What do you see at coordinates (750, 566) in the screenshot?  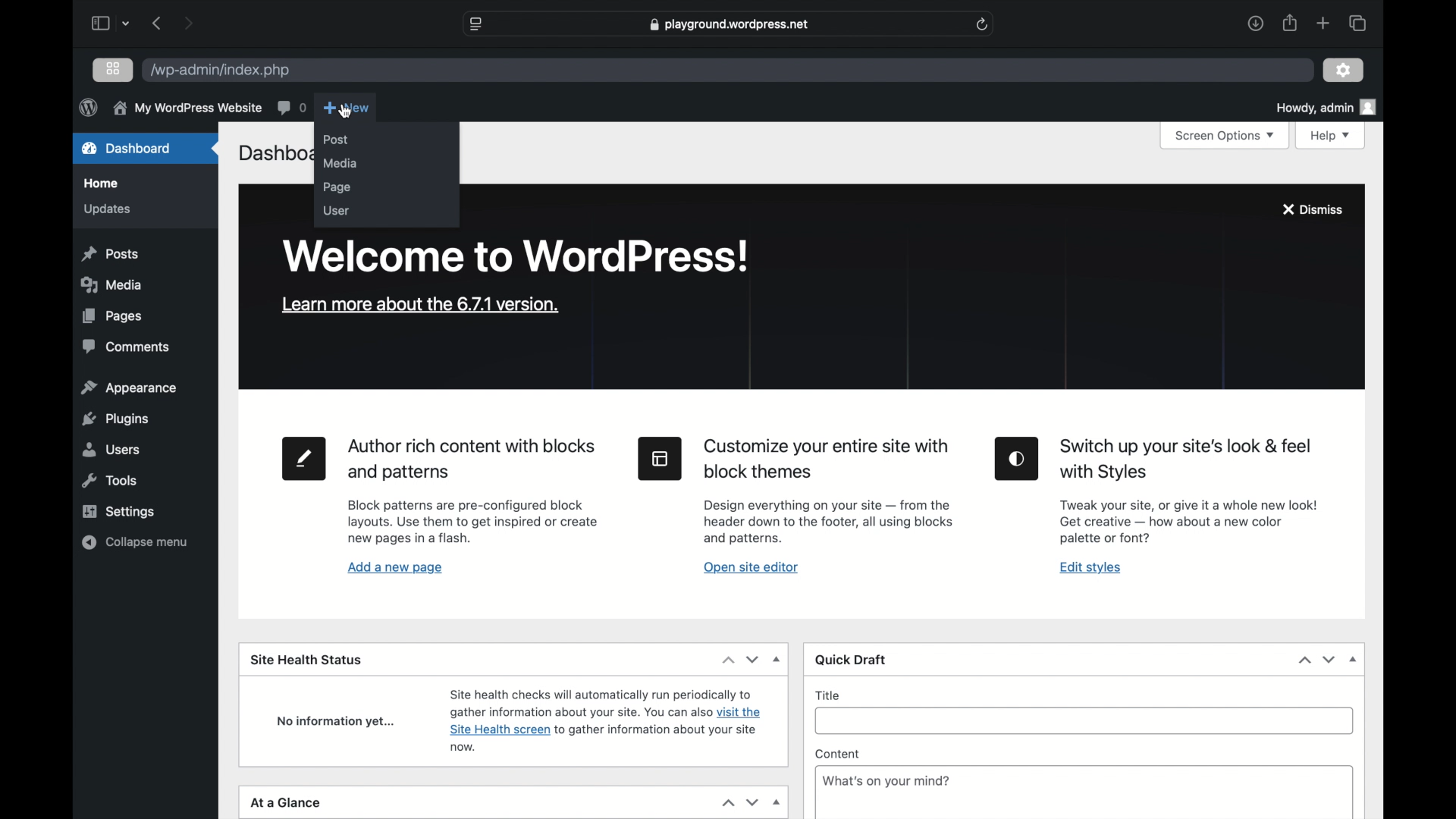 I see `open site editor` at bounding box center [750, 566].